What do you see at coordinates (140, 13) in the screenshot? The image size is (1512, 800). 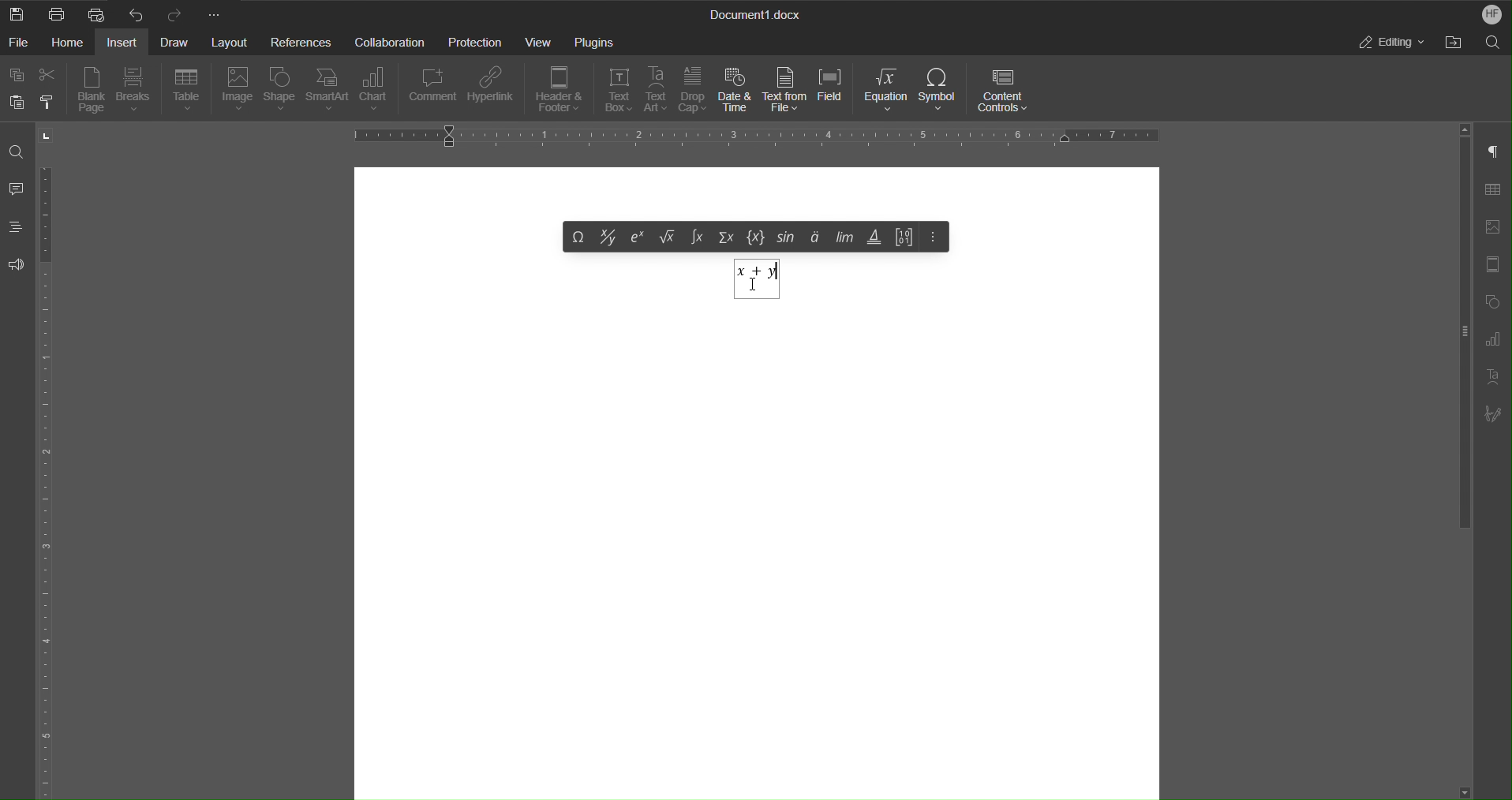 I see `Undo` at bounding box center [140, 13].